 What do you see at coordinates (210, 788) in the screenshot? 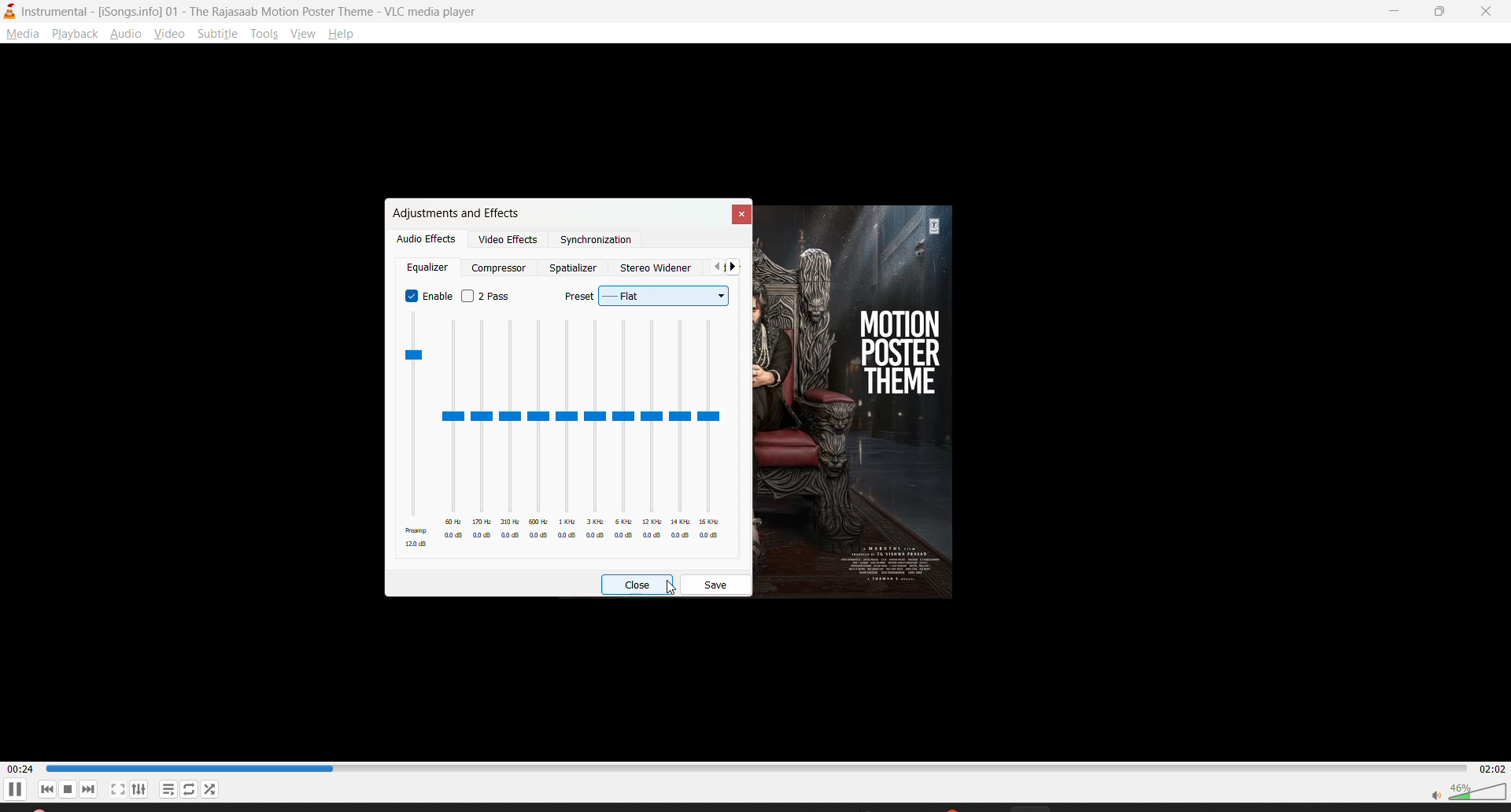
I see `random` at bounding box center [210, 788].